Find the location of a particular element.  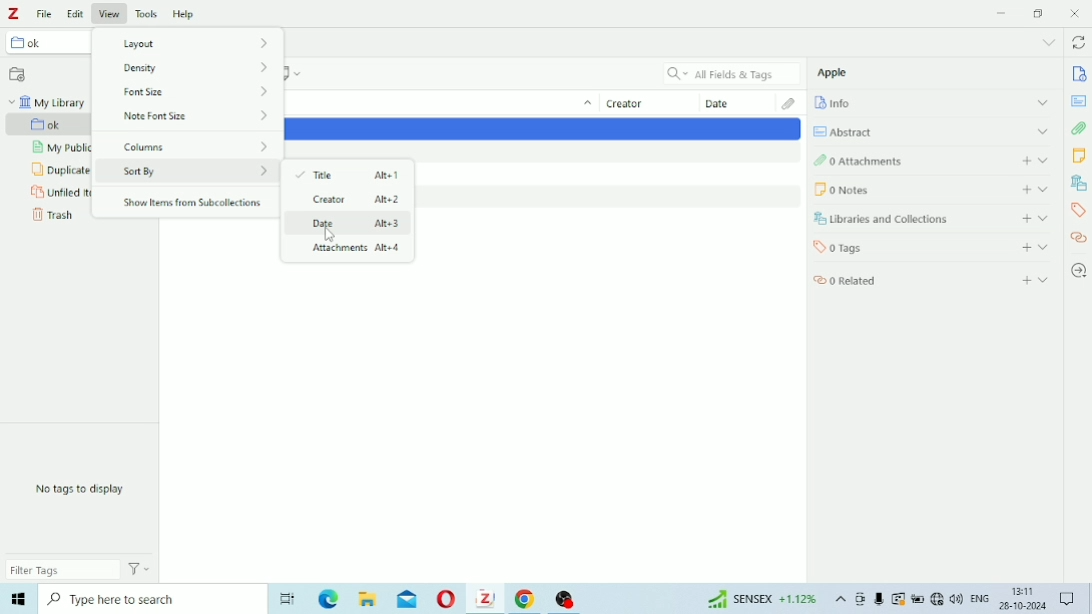

Show hidden icons is located at coordinates (839, 601).